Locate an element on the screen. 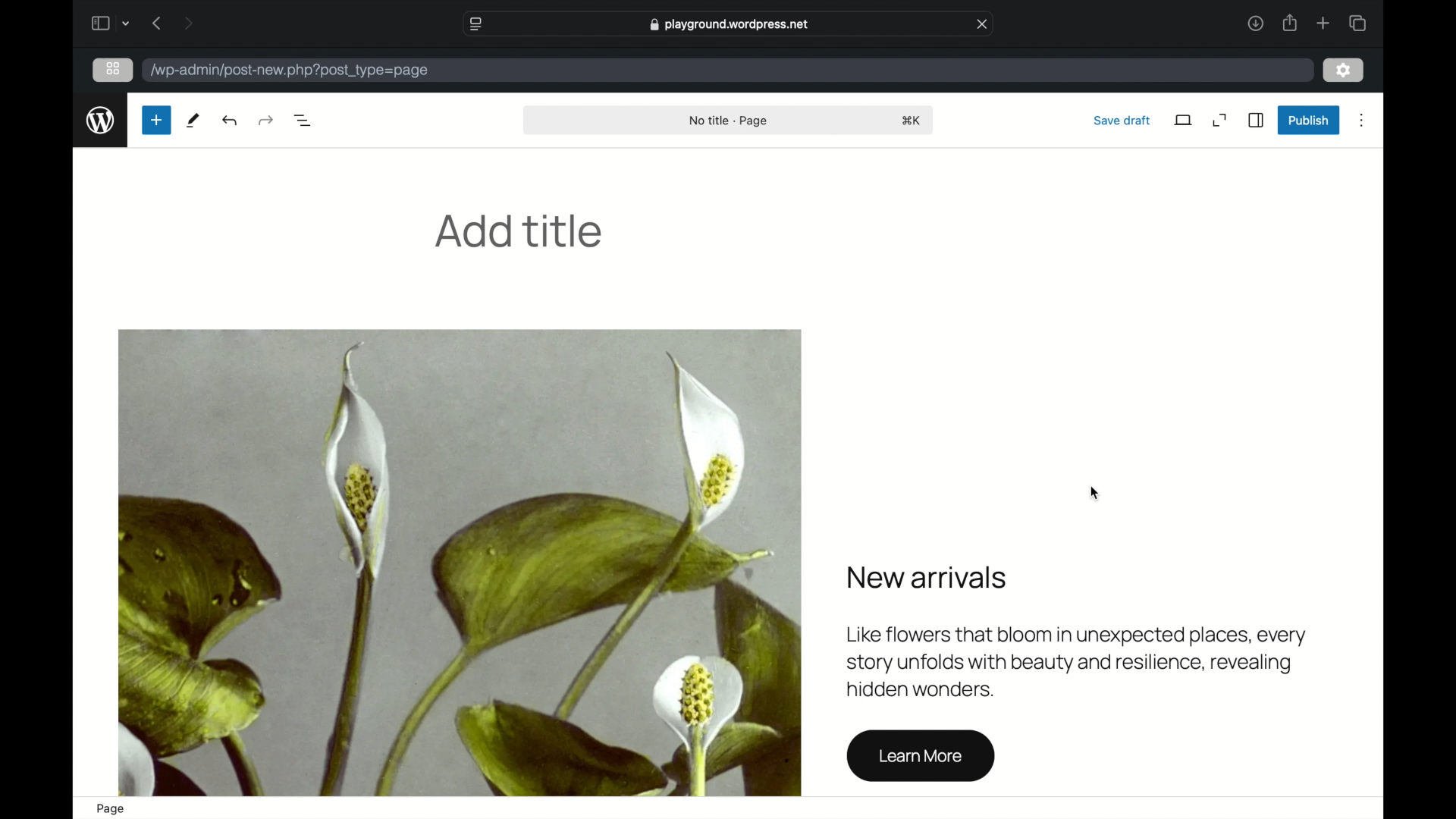  dropdown is located at coordinates (128, 23).